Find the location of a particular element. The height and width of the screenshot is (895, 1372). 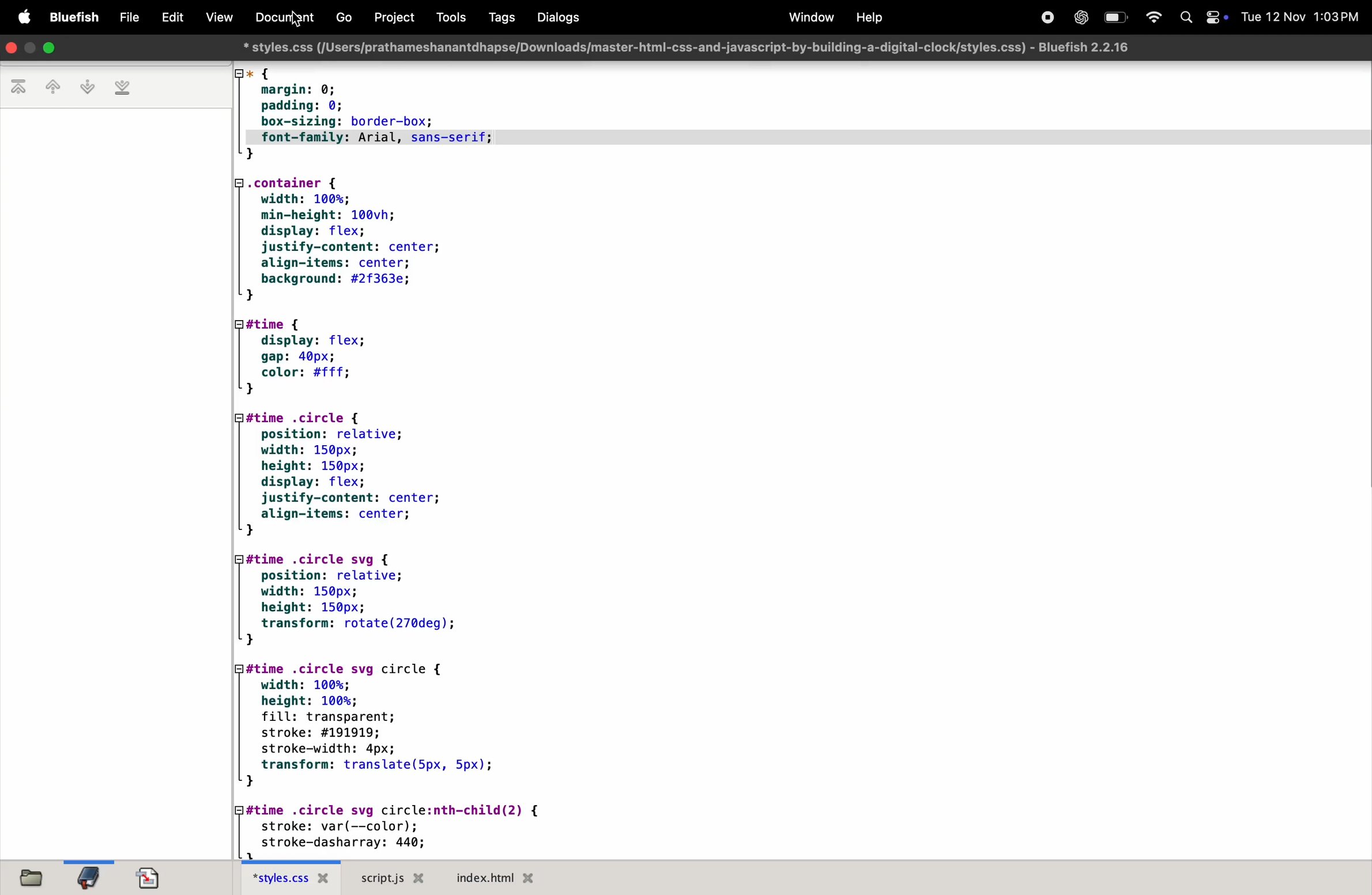

First bookmark is located at coordinates (18, 88).